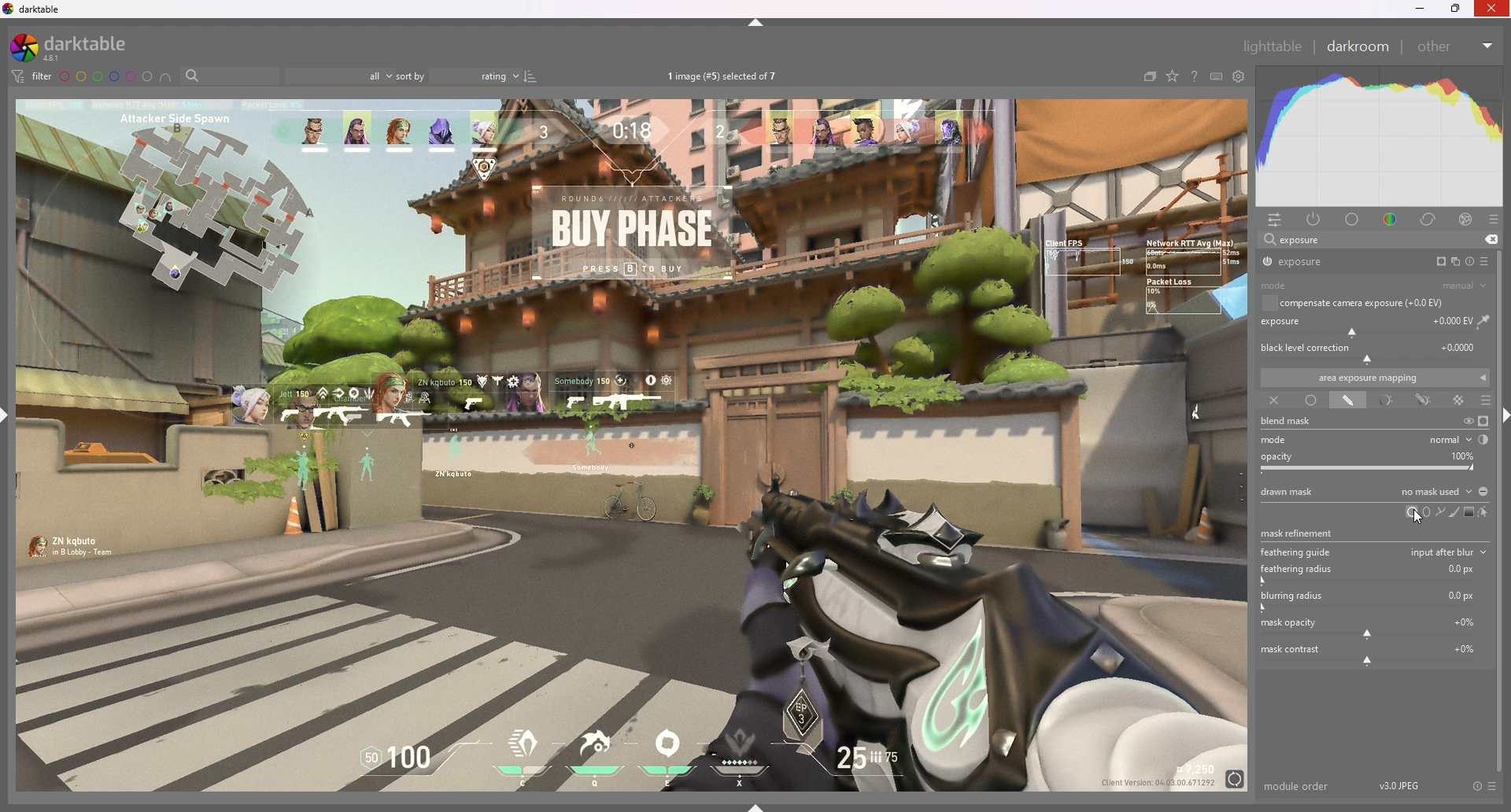 The width and height of the screenshot is (1511, 812). I want to click on darktable, so click(79, 47).